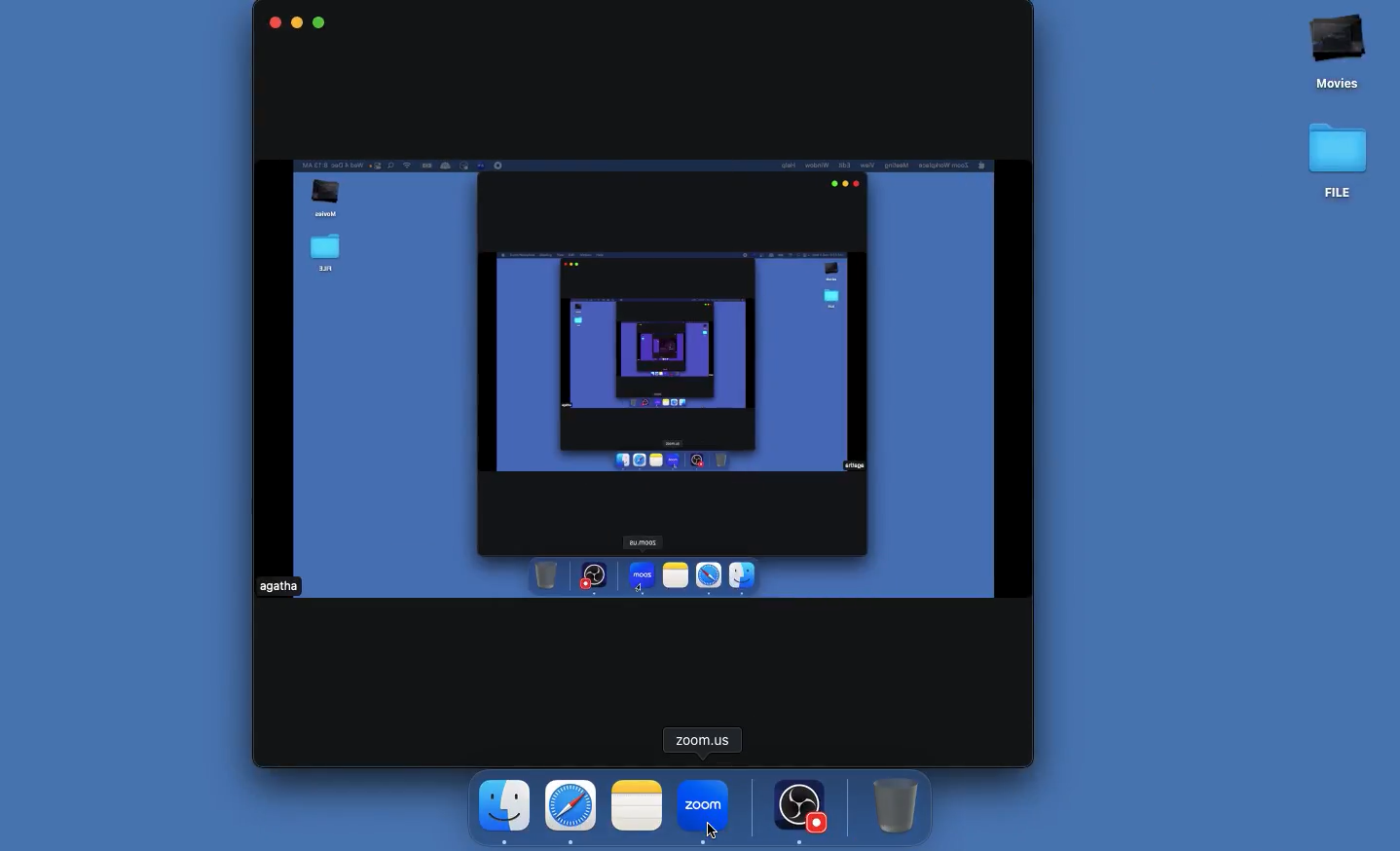 This screenshot has height=851, width=1400. What do you see at coordinates (270, 23) in the screenshot?
I see `close` at bounding box center [270, 23].